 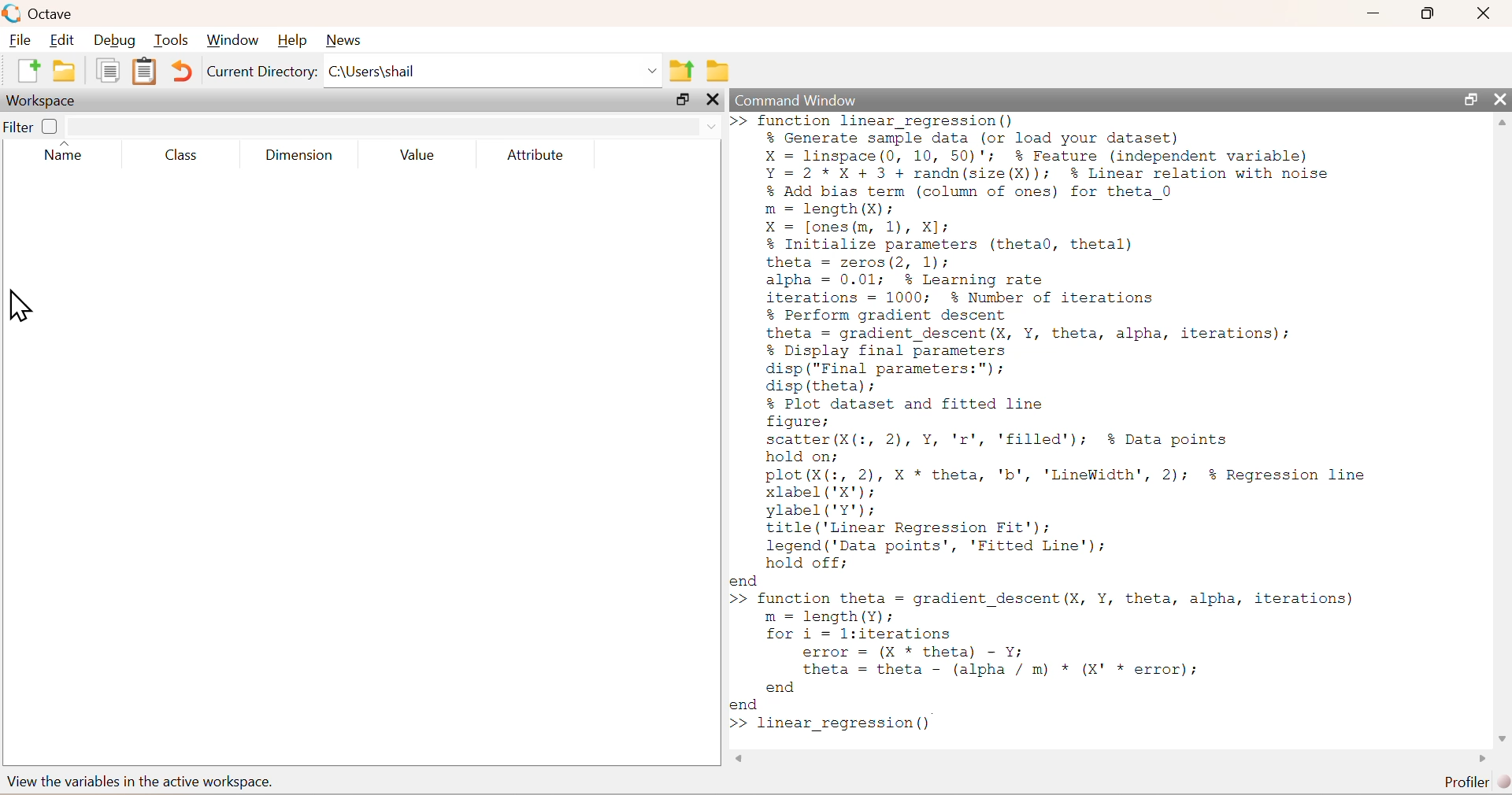 What do you see at coordinates (682, 70) in the screenshot?
I see `parent directory` at bounding box center [682, 70].